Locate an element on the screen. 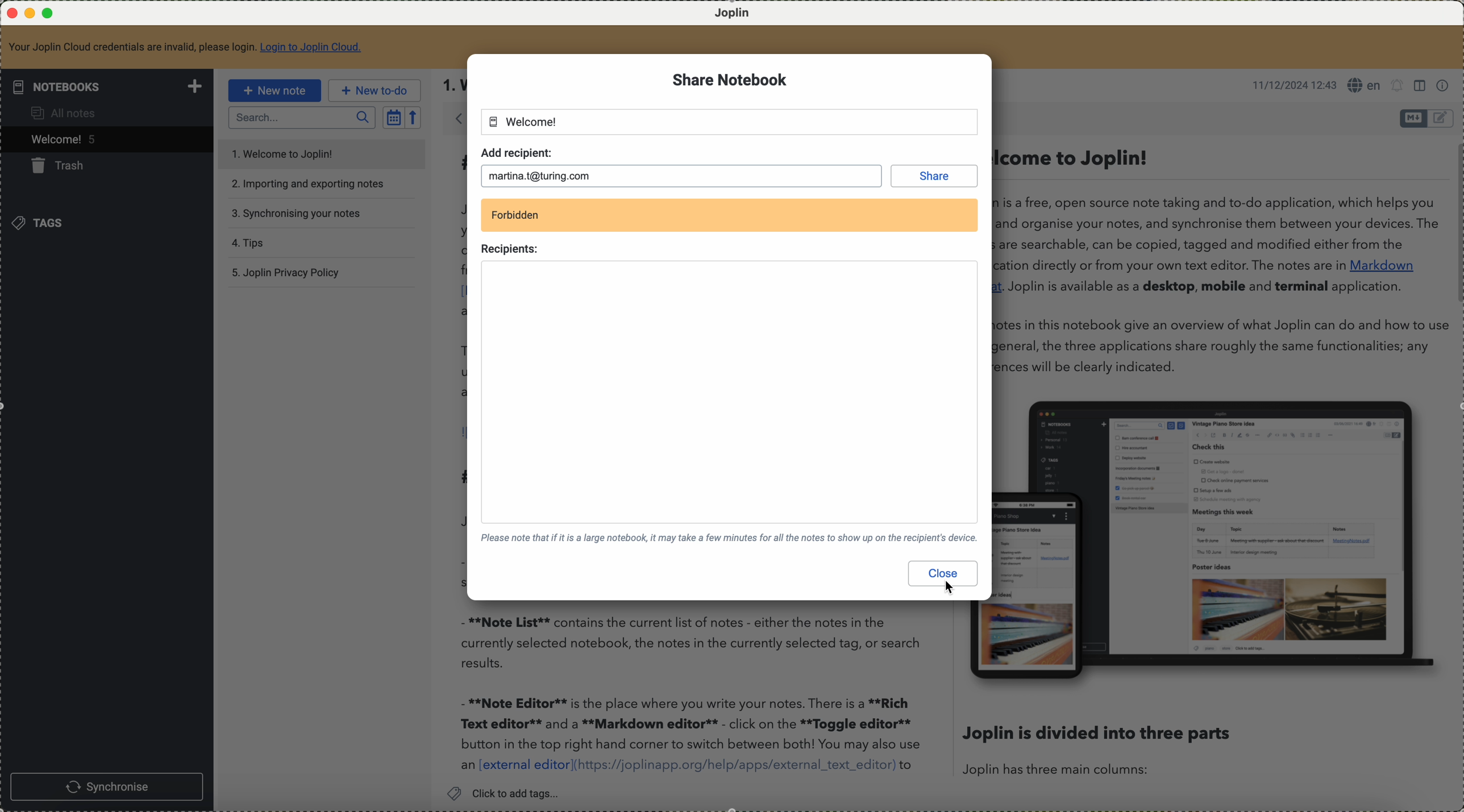 This screenshot has width=1464, height=812. synchronise is located at coordinates (107, 786).